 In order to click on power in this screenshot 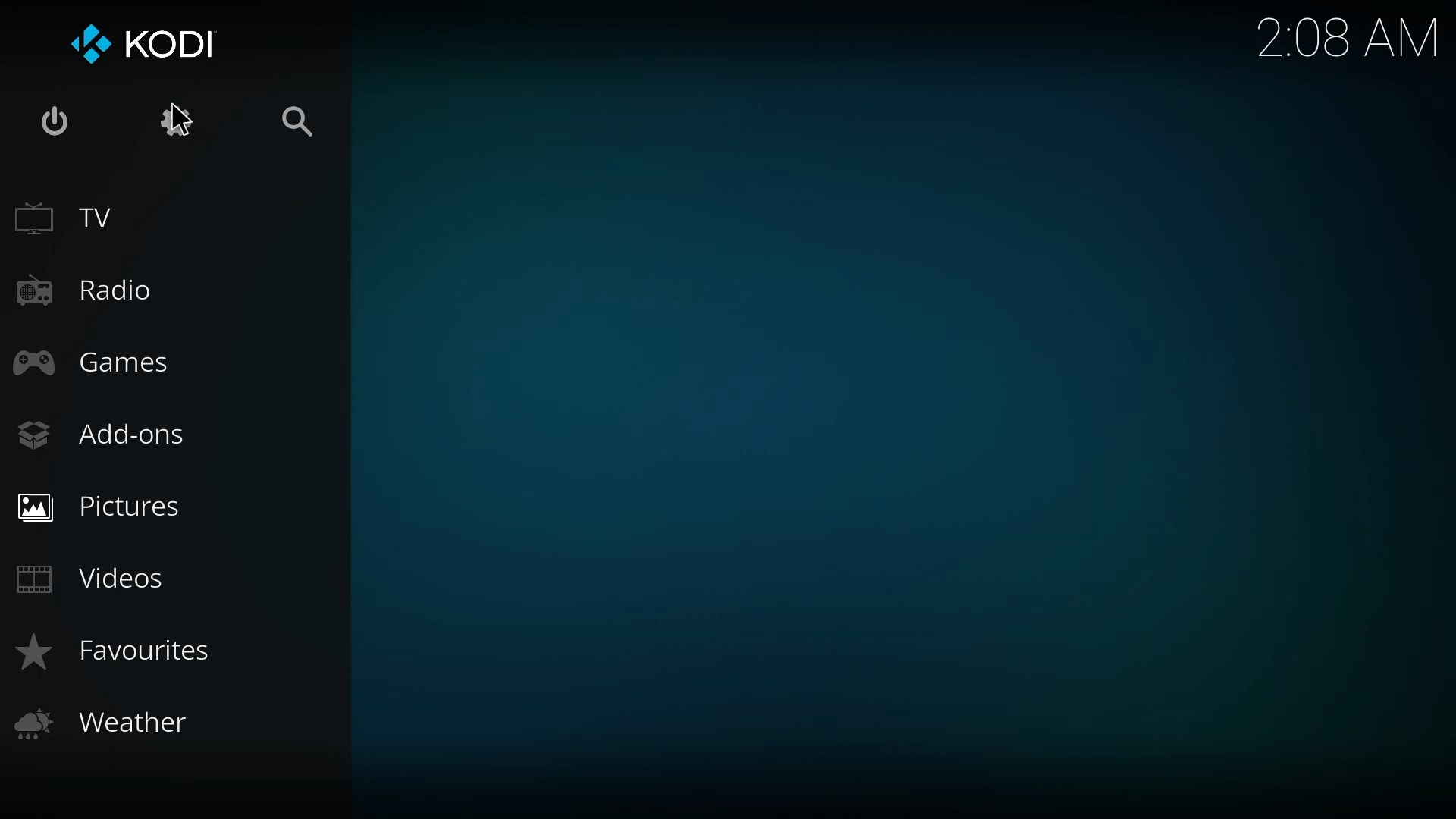, I will do `click(61, 124)`.